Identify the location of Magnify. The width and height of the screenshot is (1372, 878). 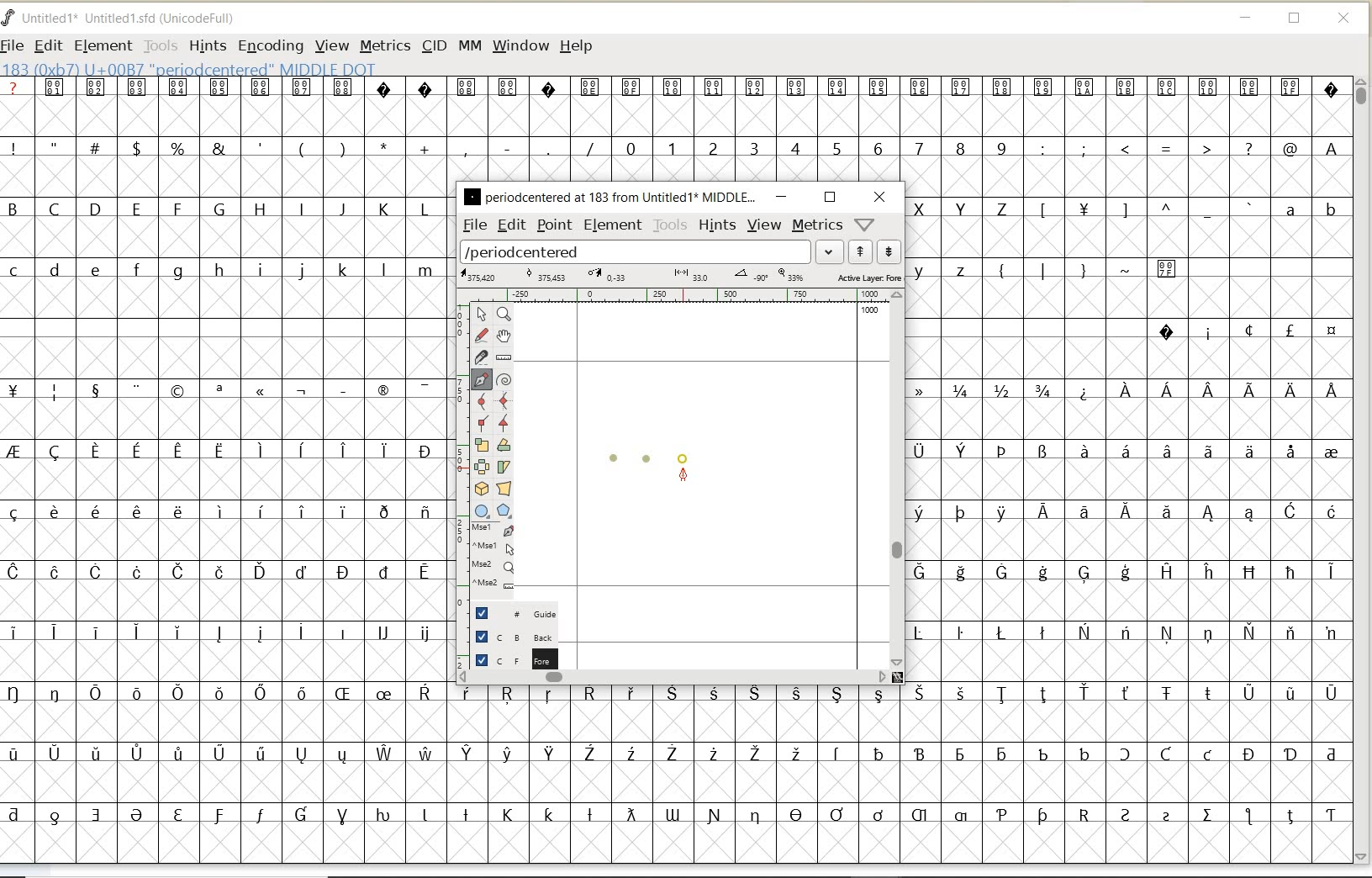
(504, 315).